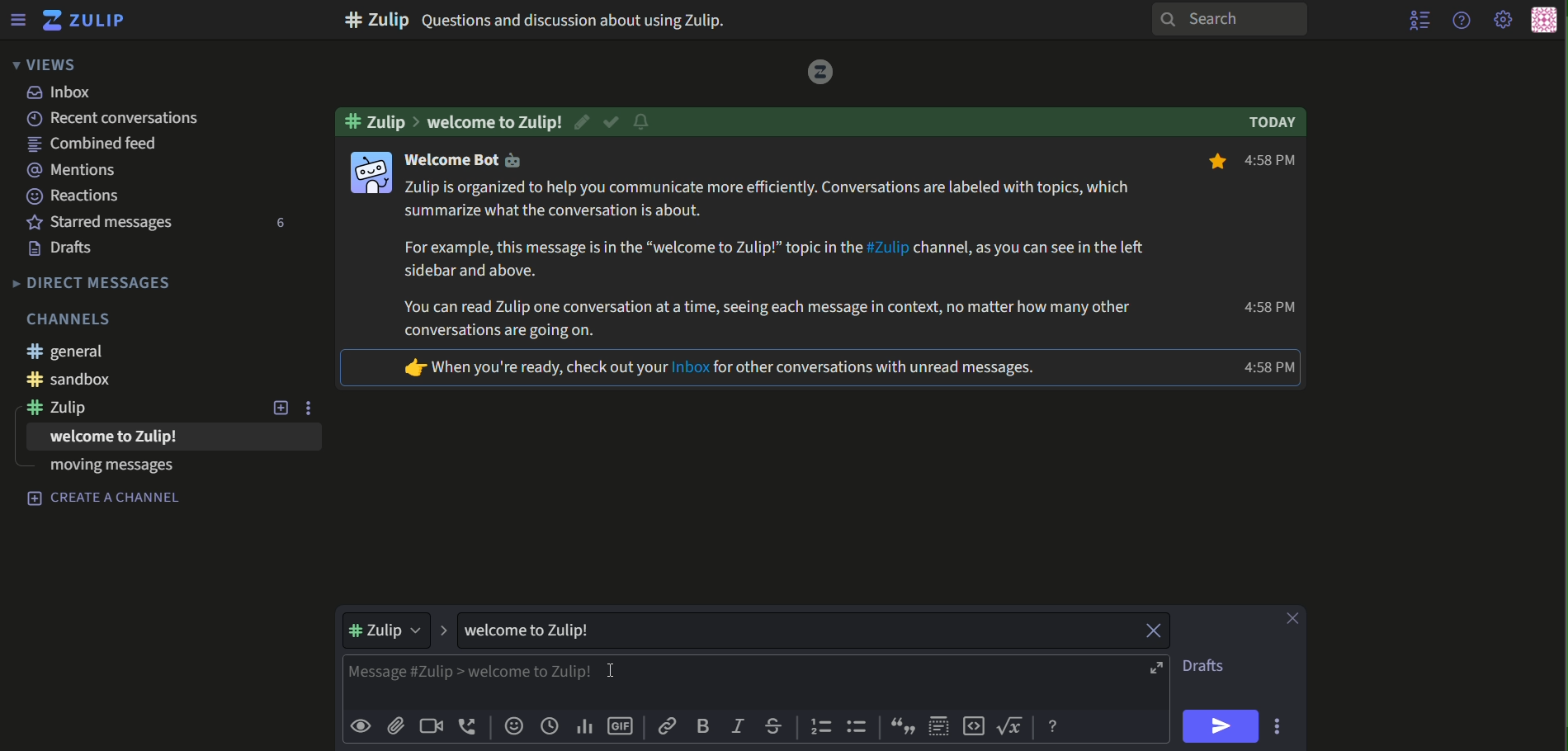 The image size is (1568, 751). What do you see at coordinates (612, 672) in the screenshot?
I see `cursor` at bounding box center [612, 672].